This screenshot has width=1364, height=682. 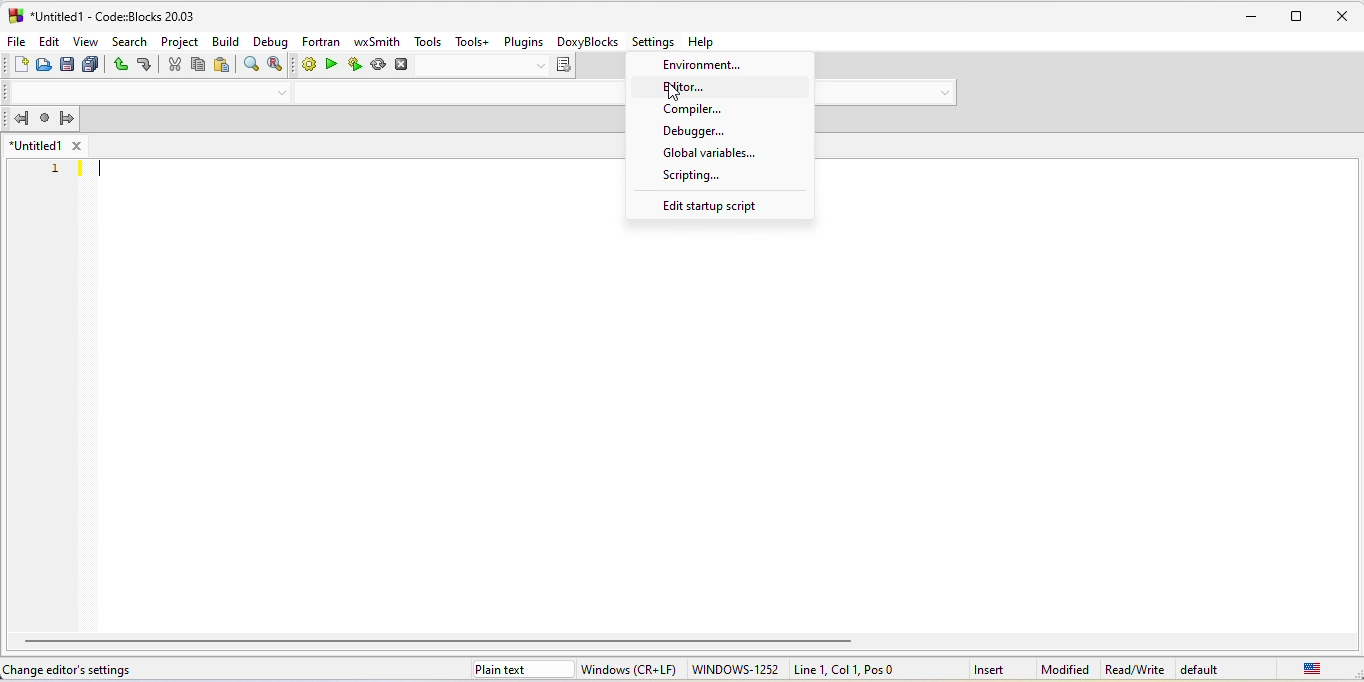 What do you see at coordinates (378, 64) in the screenshot?
I see `rebuild` at bounding box center [378, 64].